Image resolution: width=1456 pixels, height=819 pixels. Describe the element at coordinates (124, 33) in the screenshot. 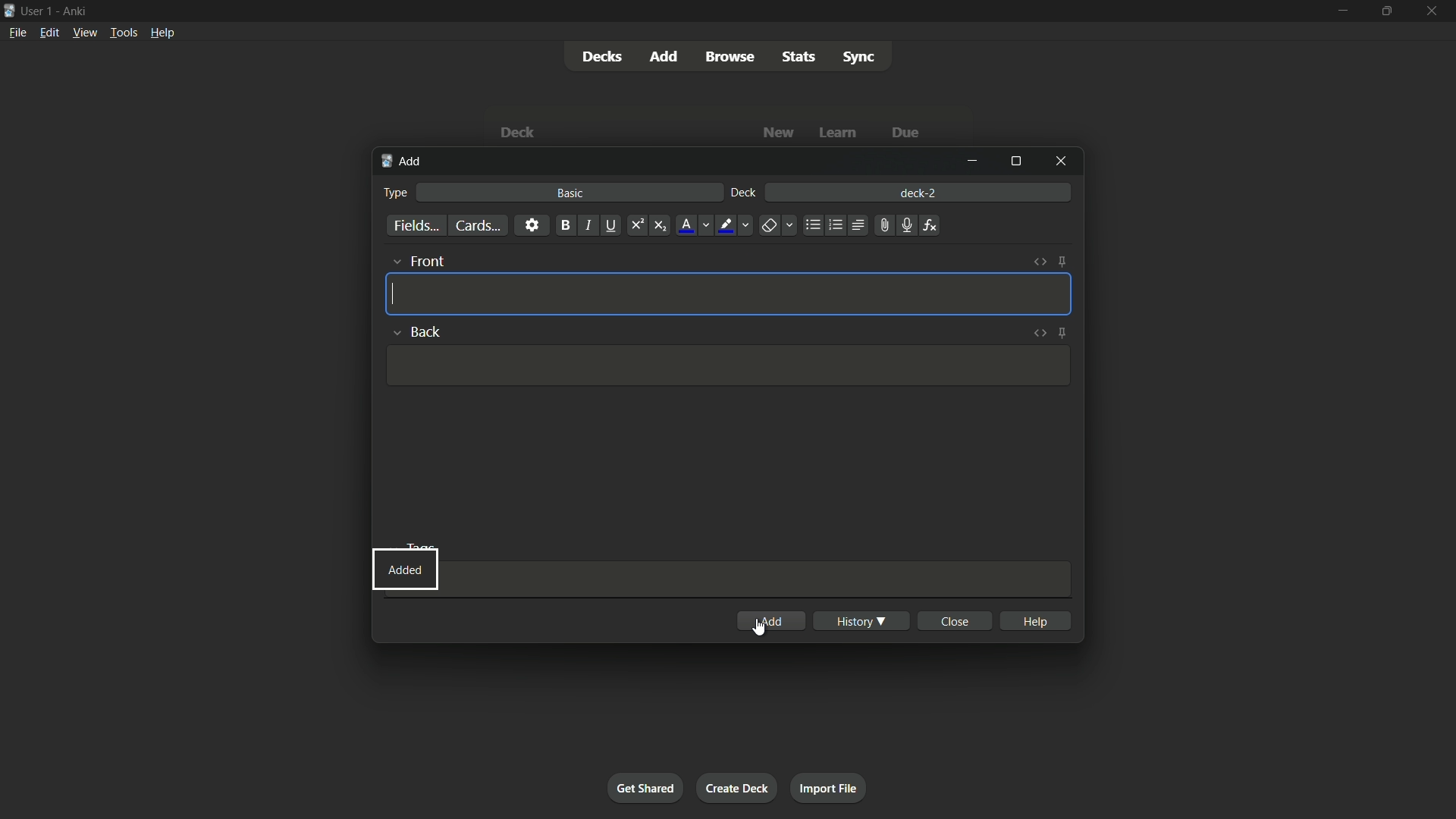

I see `tools menu` at that location.